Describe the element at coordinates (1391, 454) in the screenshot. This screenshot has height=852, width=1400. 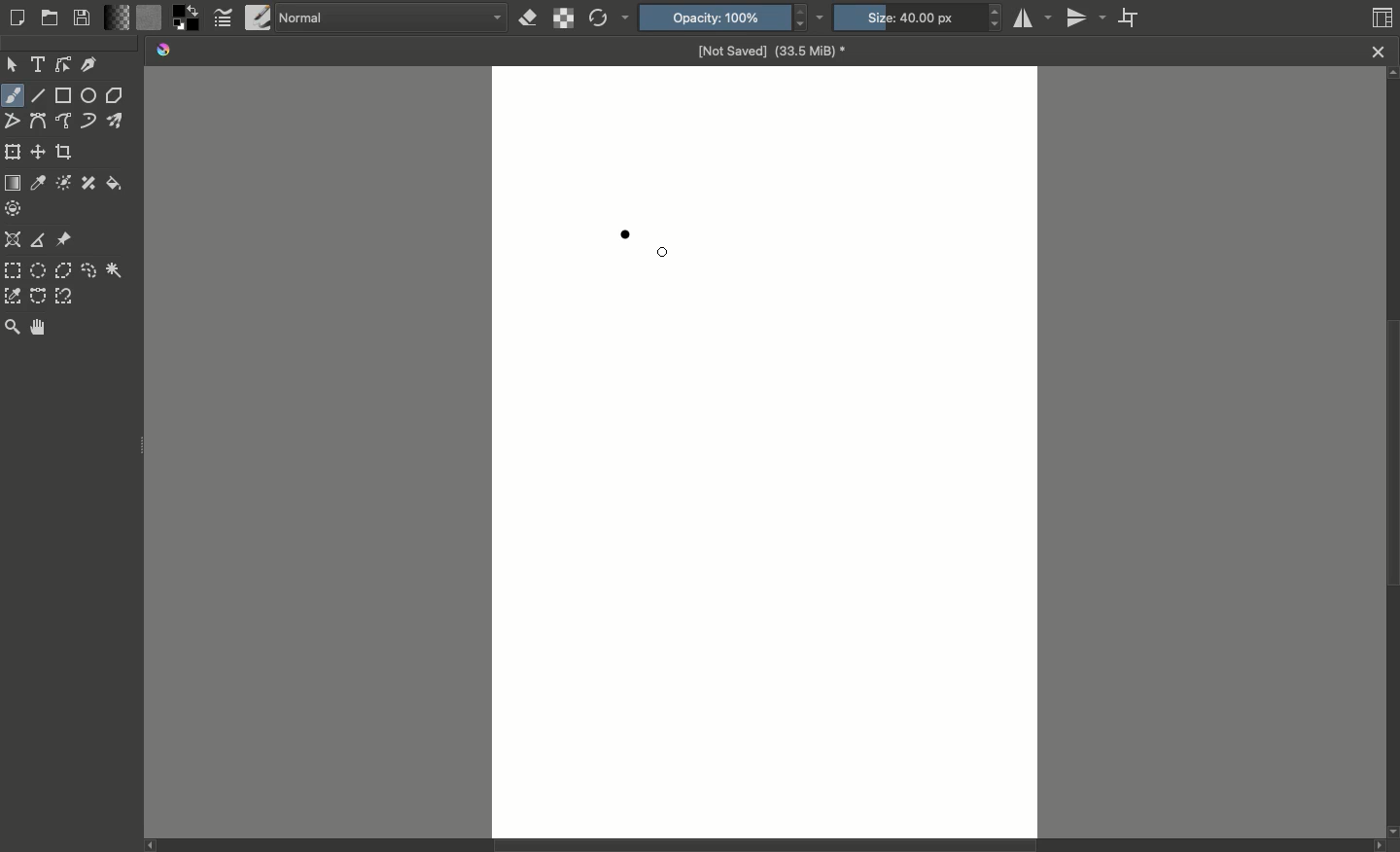
I see `Scroll bar` at that location.